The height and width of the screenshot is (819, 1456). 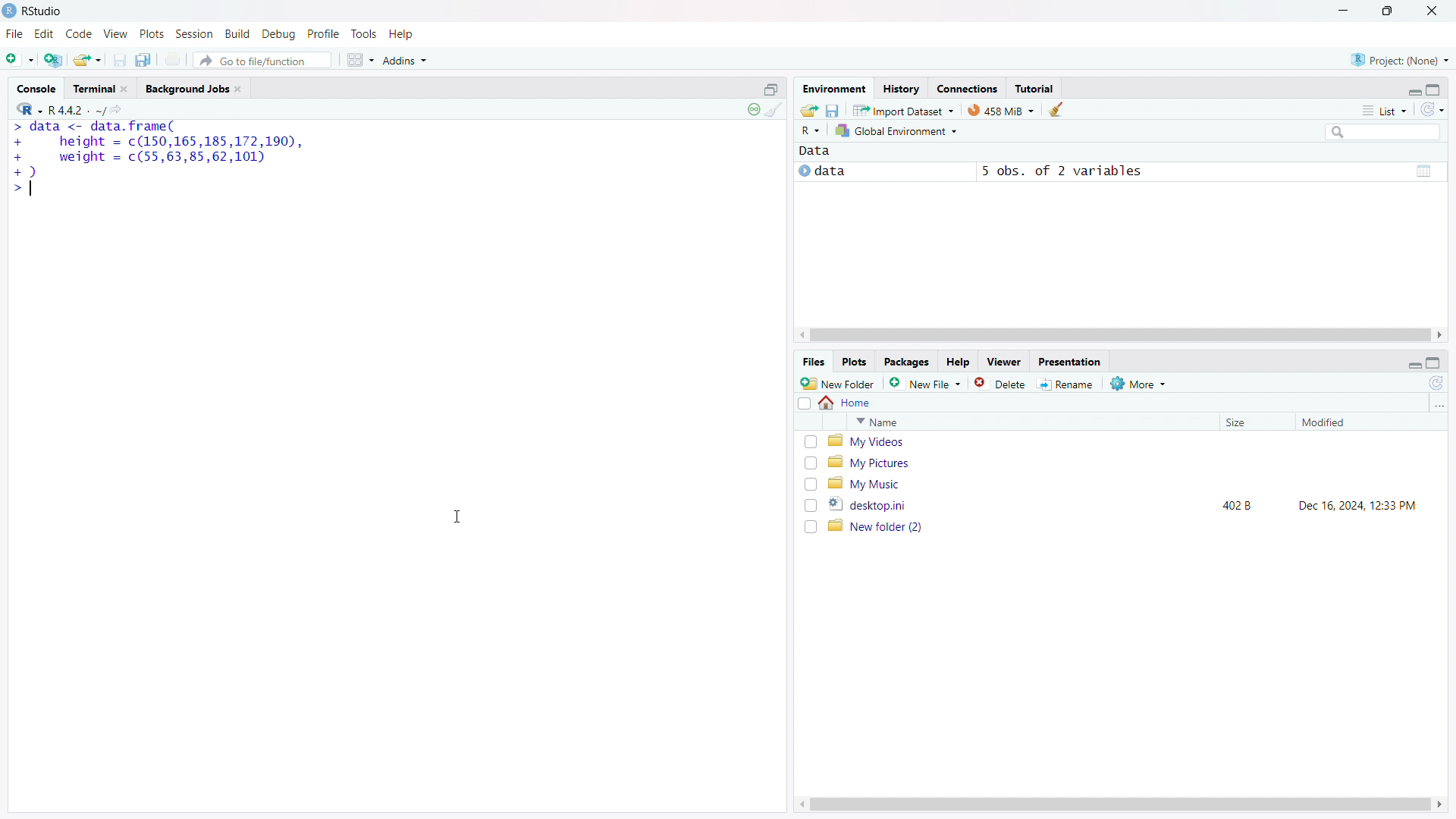 What do you see at coordinates (1130, 483) in the screenshot?
I see `my music` at bounding box center [1130, 483].